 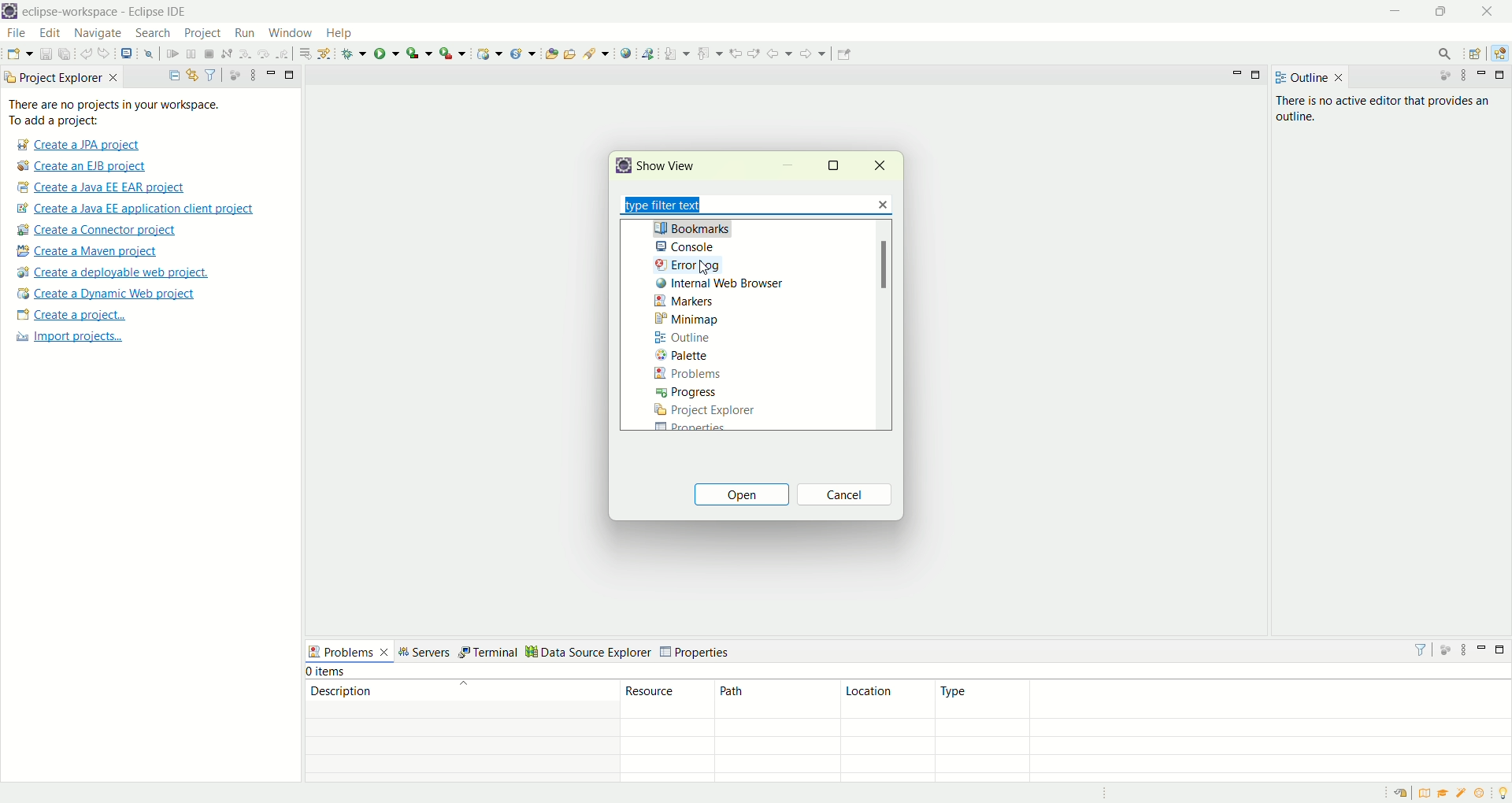 What do you see at coordinates (202, 34) in the screenshot?
I see `project` at bounding box center [202, 34].